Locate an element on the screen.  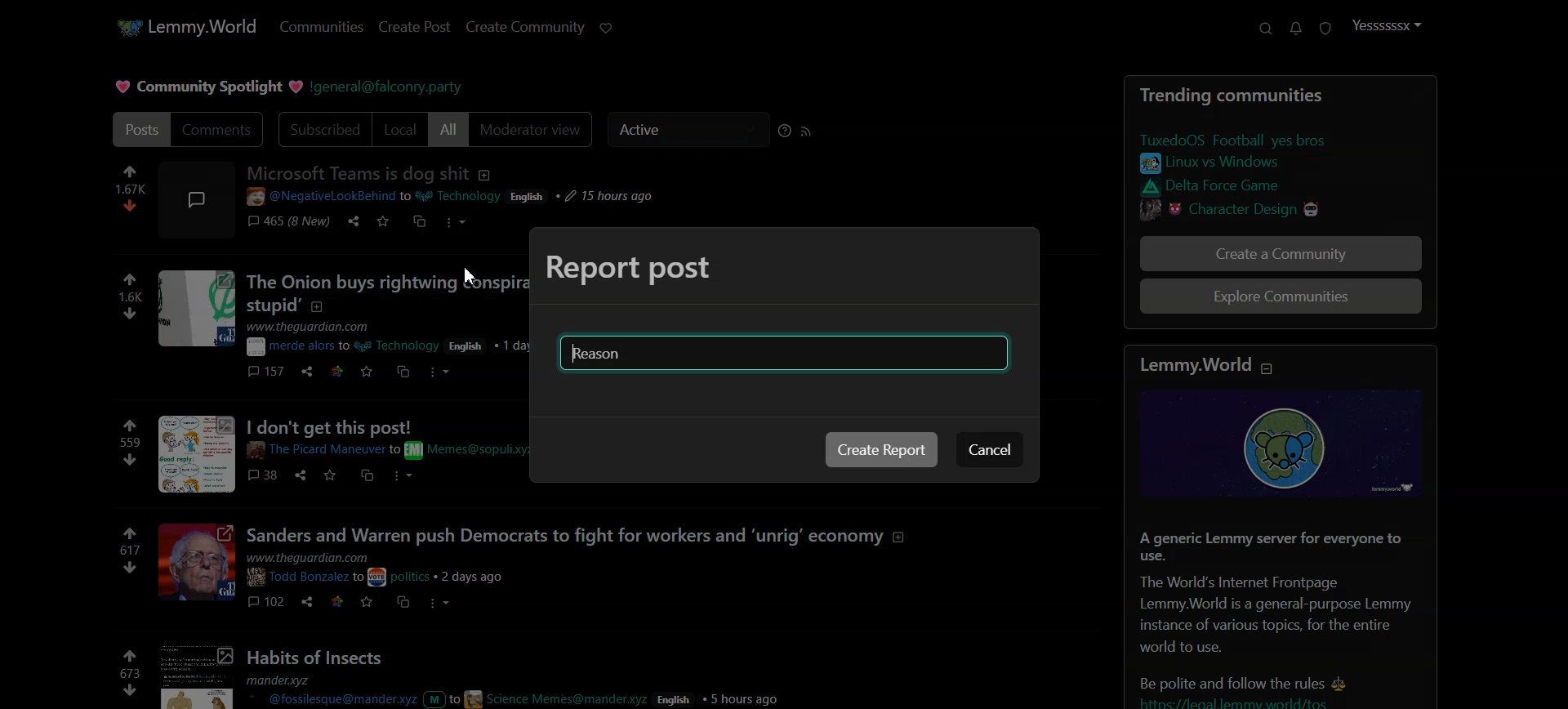
All is located at coordinates (449, 129).